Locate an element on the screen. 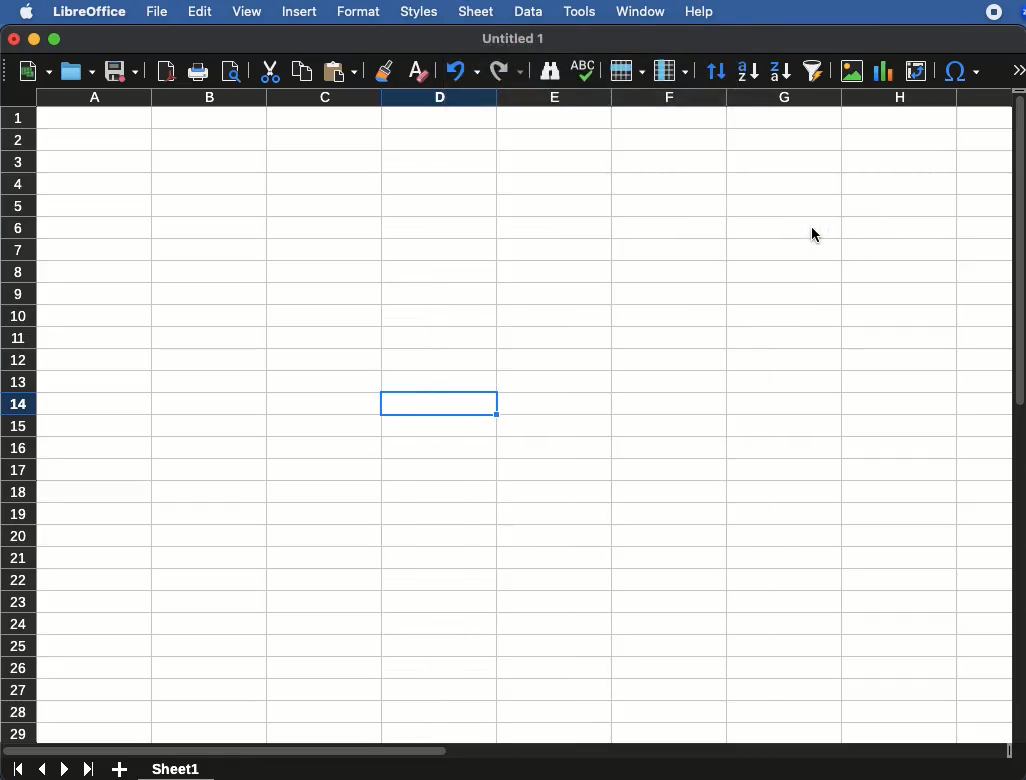 This screenshot has width=1026, height=780. ascending is located at coordinates (747, 69).